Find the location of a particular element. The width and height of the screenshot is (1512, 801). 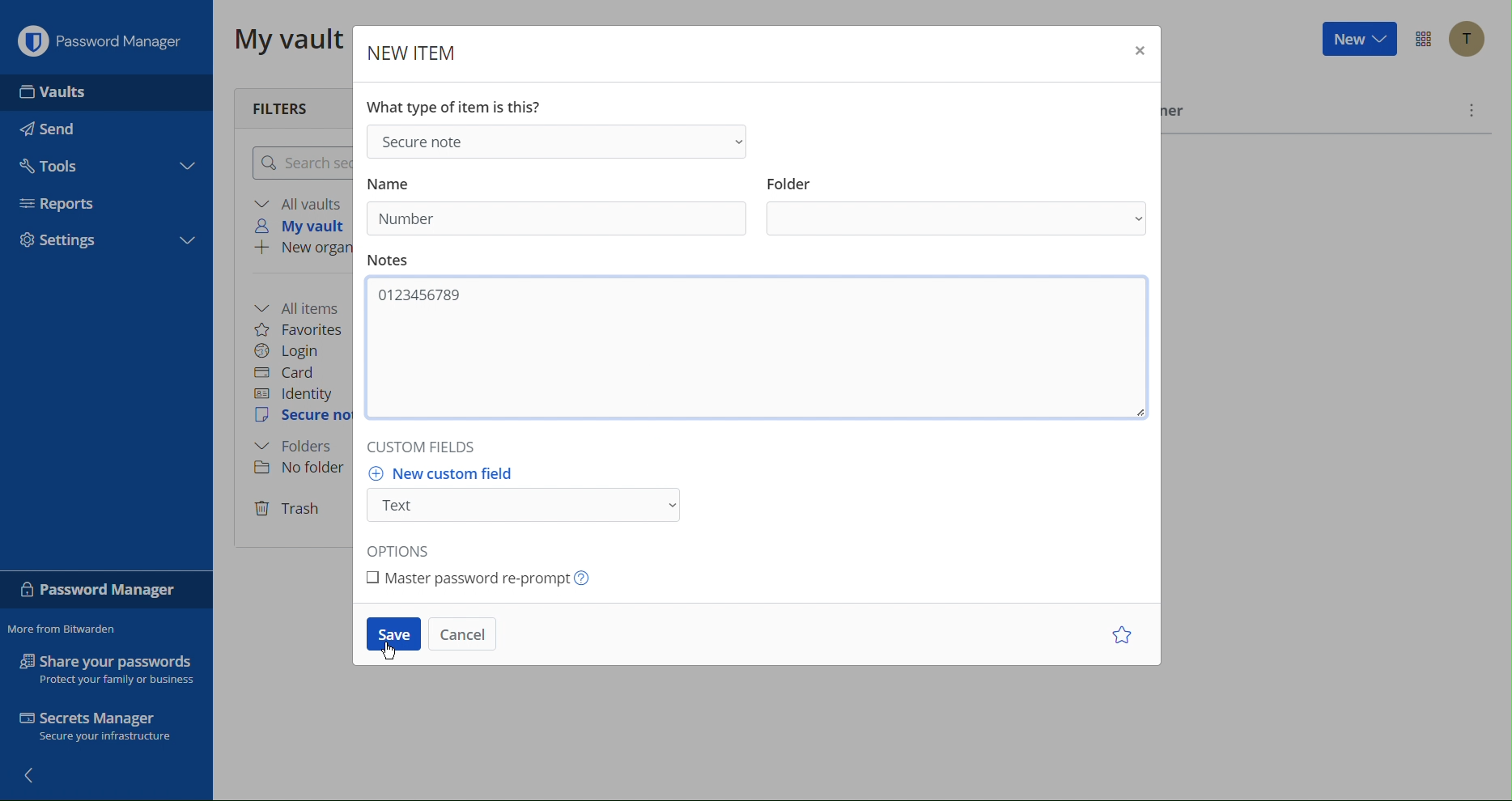

Password Manager is located at coordinates (104, 590).